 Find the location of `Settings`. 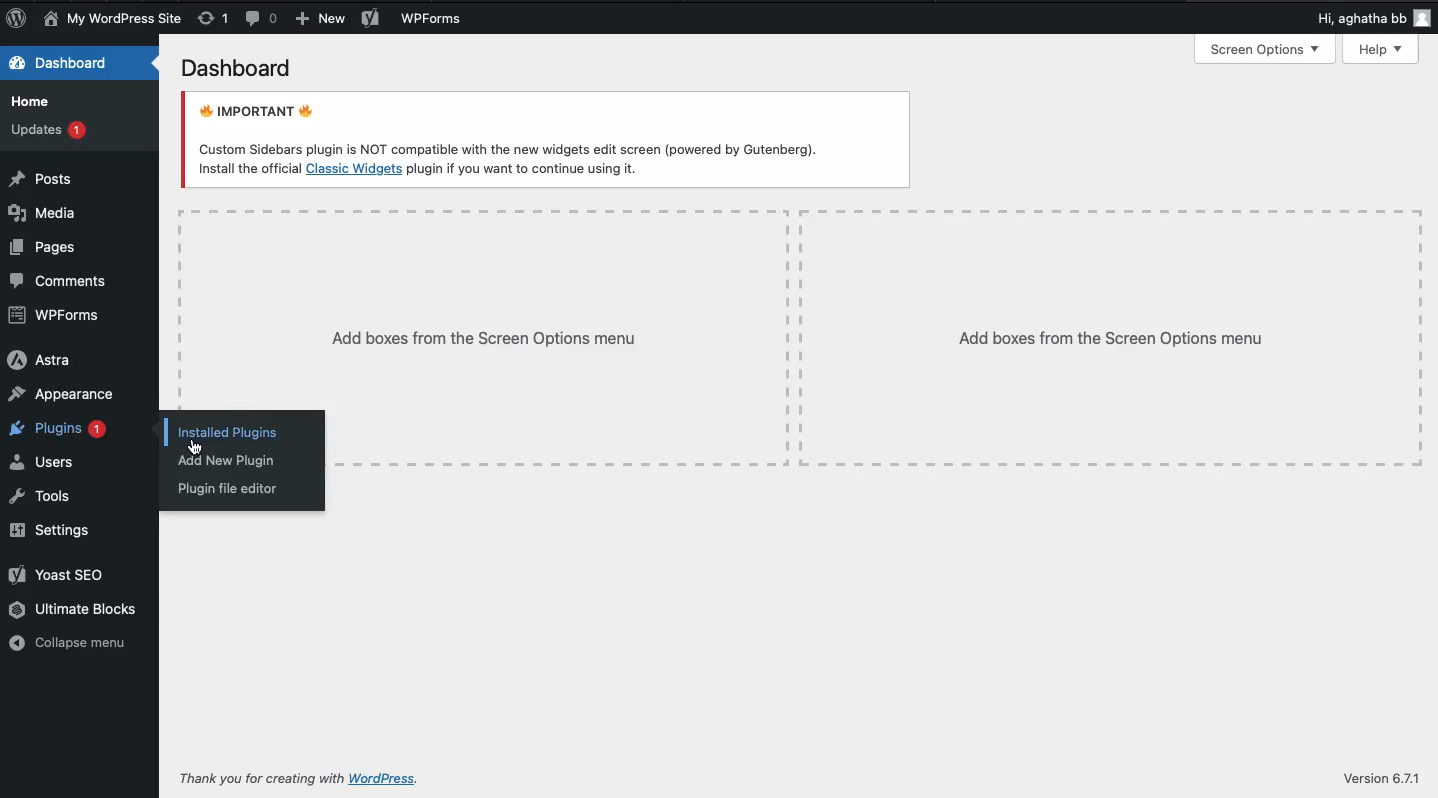

Settings is located at coordinates (53, 532).